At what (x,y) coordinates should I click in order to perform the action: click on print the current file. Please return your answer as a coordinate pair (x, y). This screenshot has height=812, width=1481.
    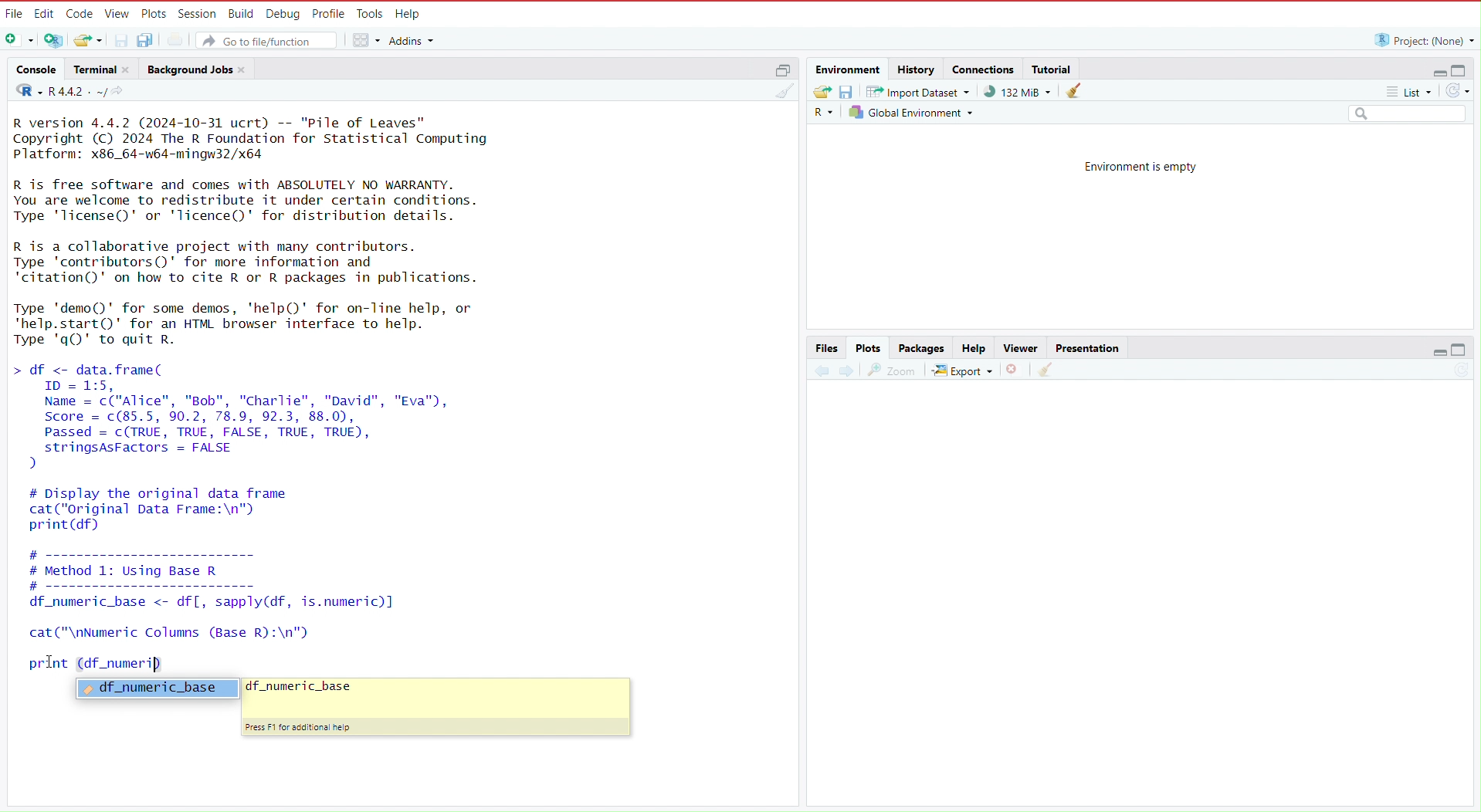
    Looking at the image, I should click on (175, 41).